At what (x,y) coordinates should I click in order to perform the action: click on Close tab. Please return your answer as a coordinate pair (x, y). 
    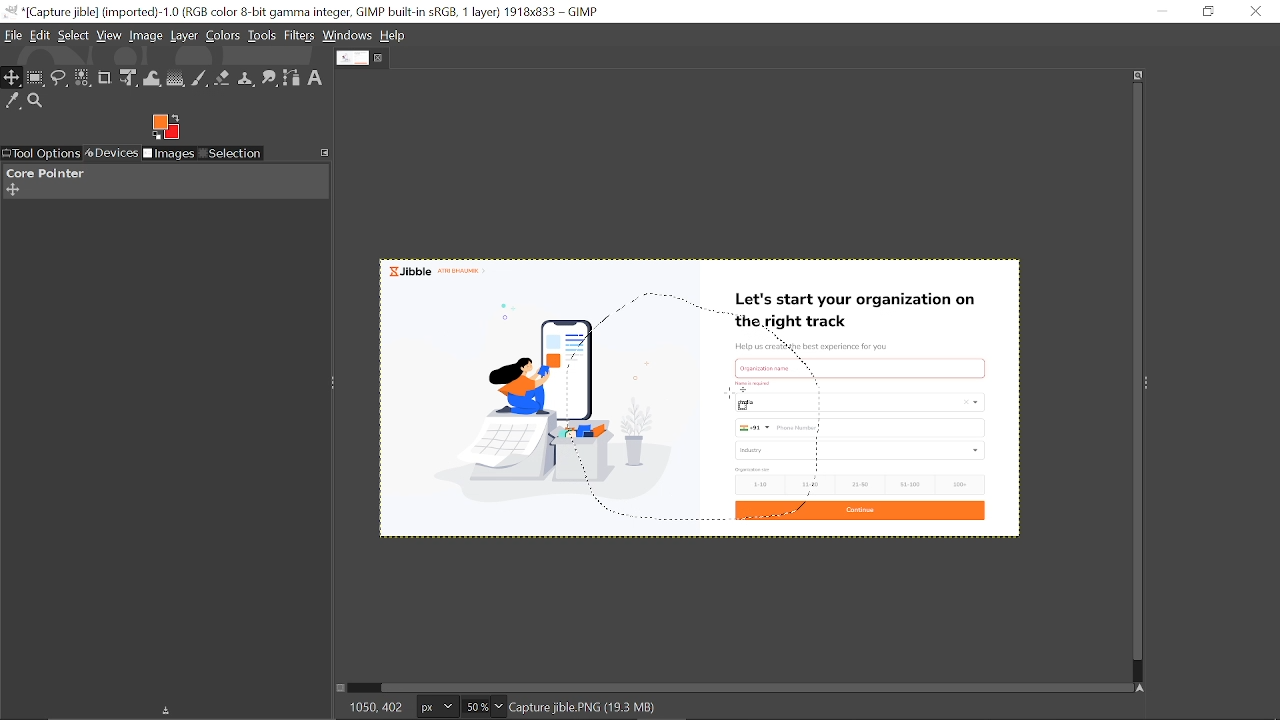
    Looking at the image, I should click on (380, 58).